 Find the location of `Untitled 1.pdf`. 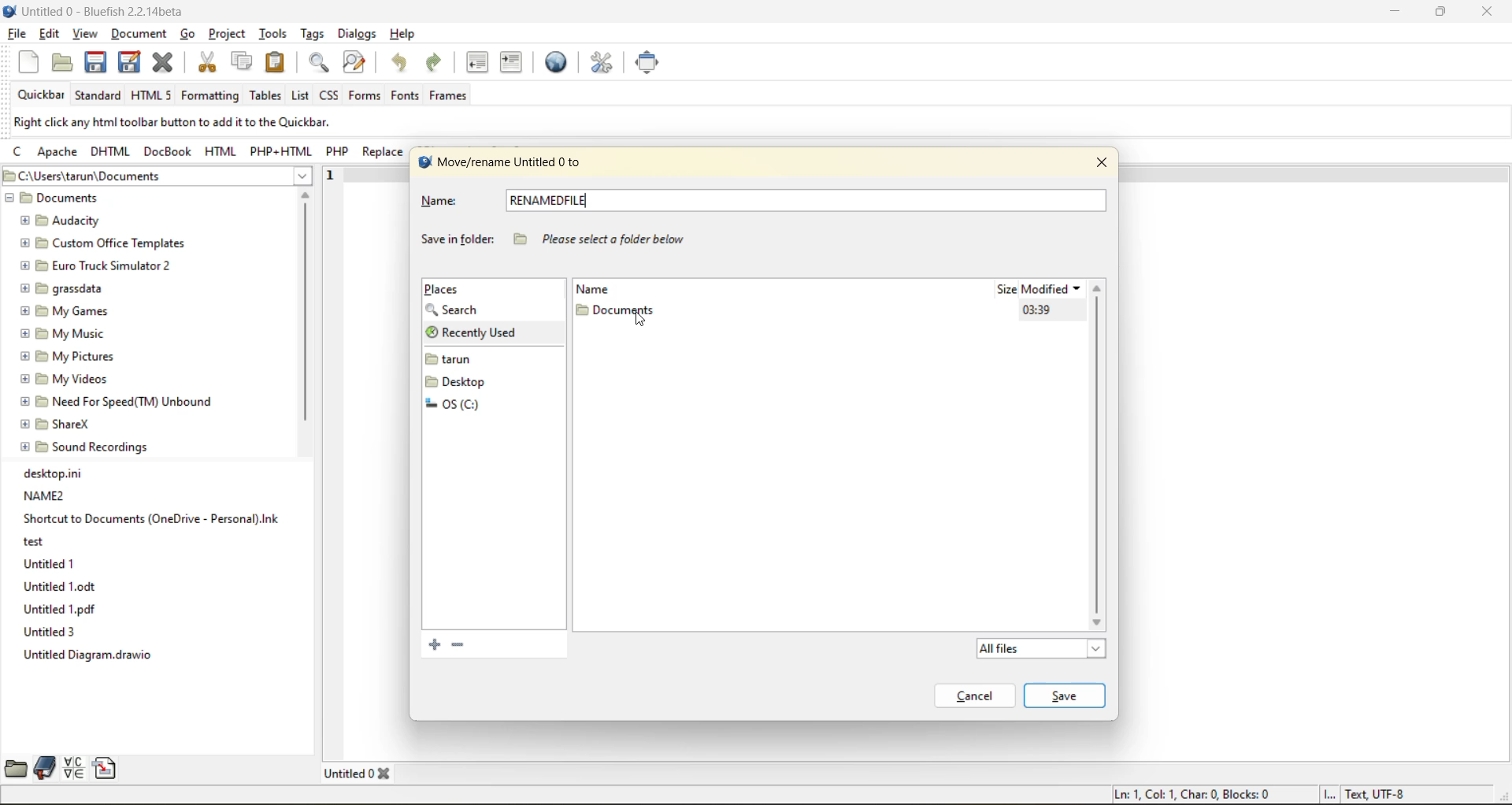

Untitled 1.pdf is located at coordinates (61, 610).